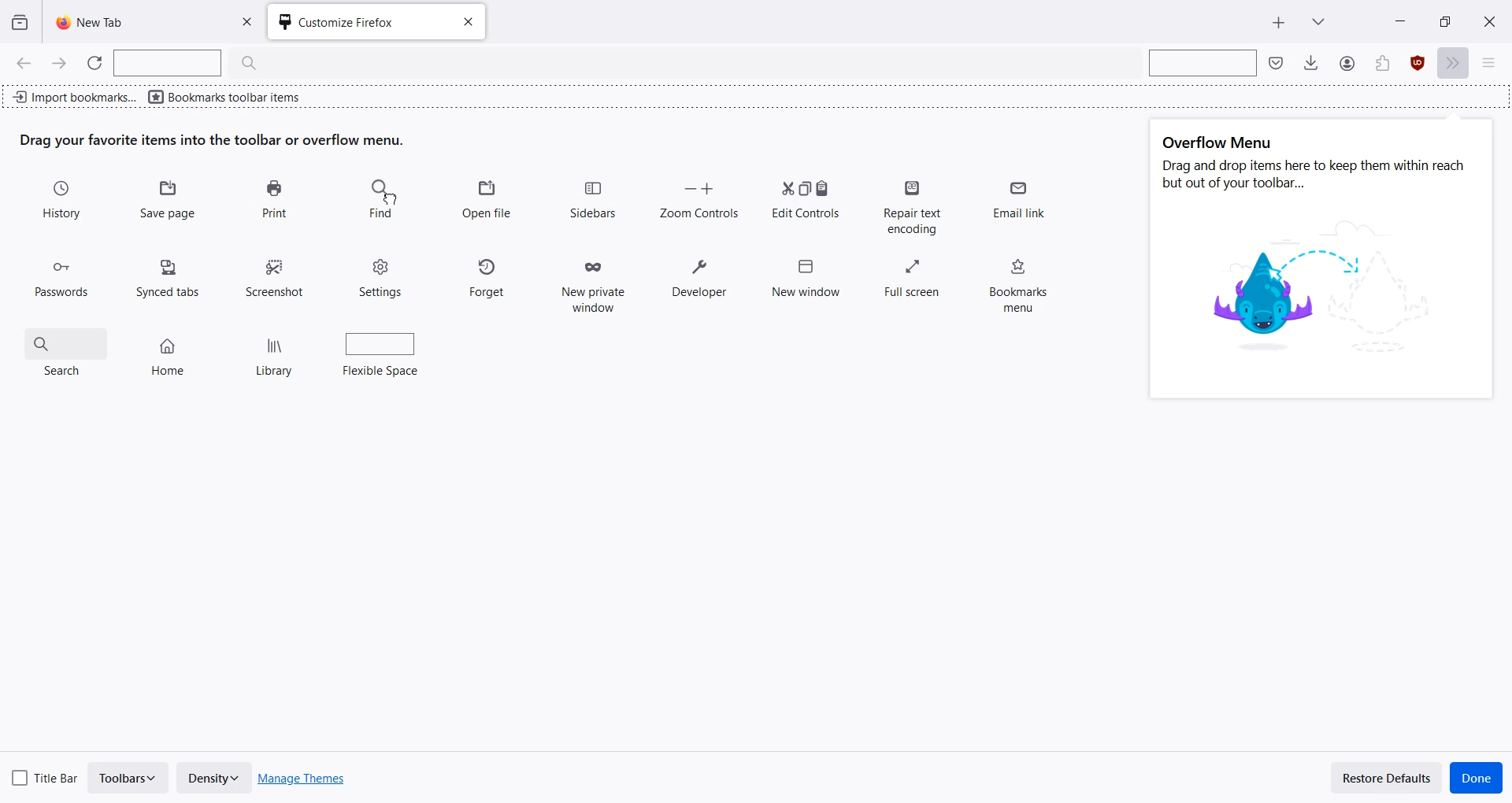 This screenshot has height=803, width=1512. I want to click on Settings, so click(382, 275).